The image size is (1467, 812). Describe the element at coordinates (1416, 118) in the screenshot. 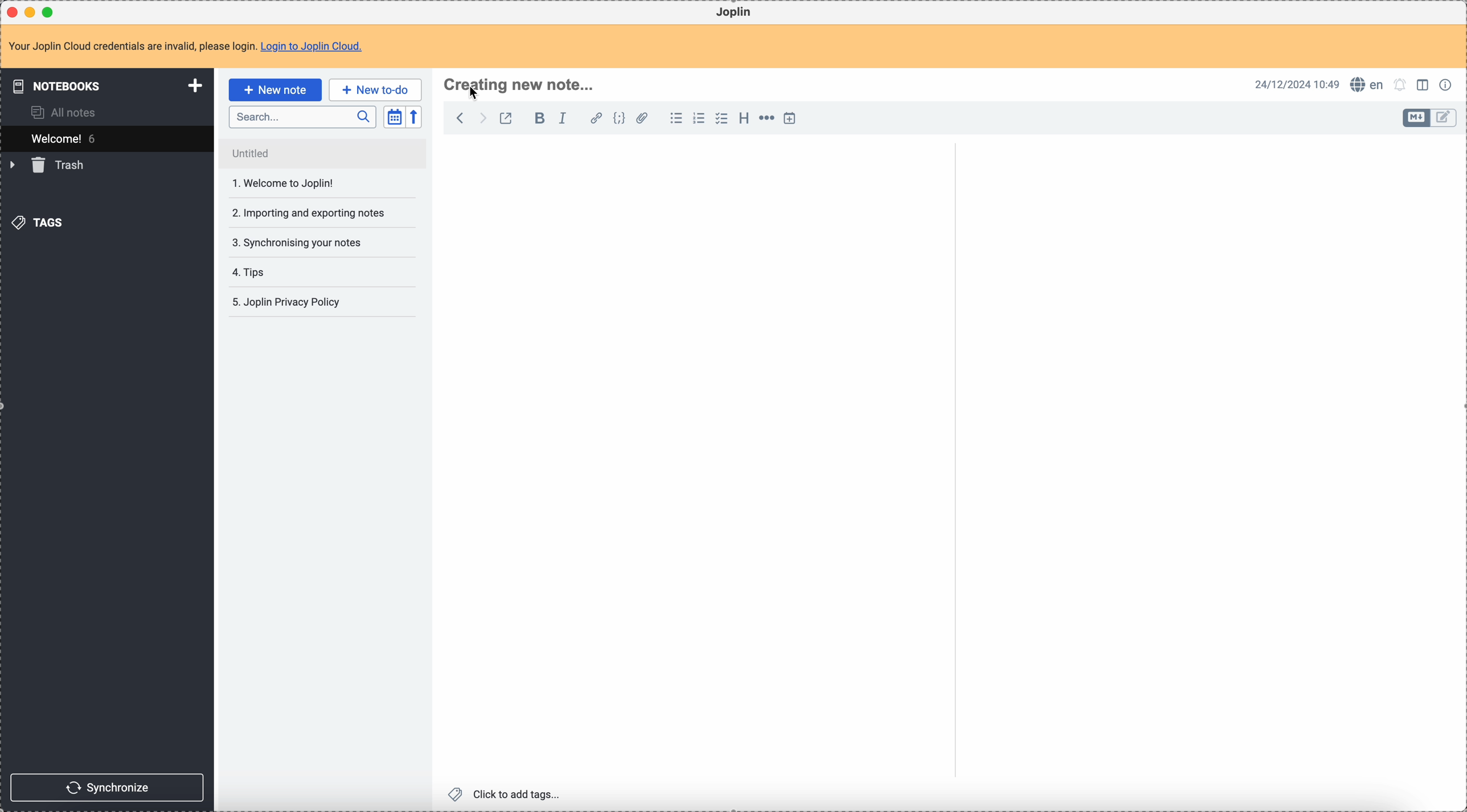

I see `toggle edit layout` at that location.